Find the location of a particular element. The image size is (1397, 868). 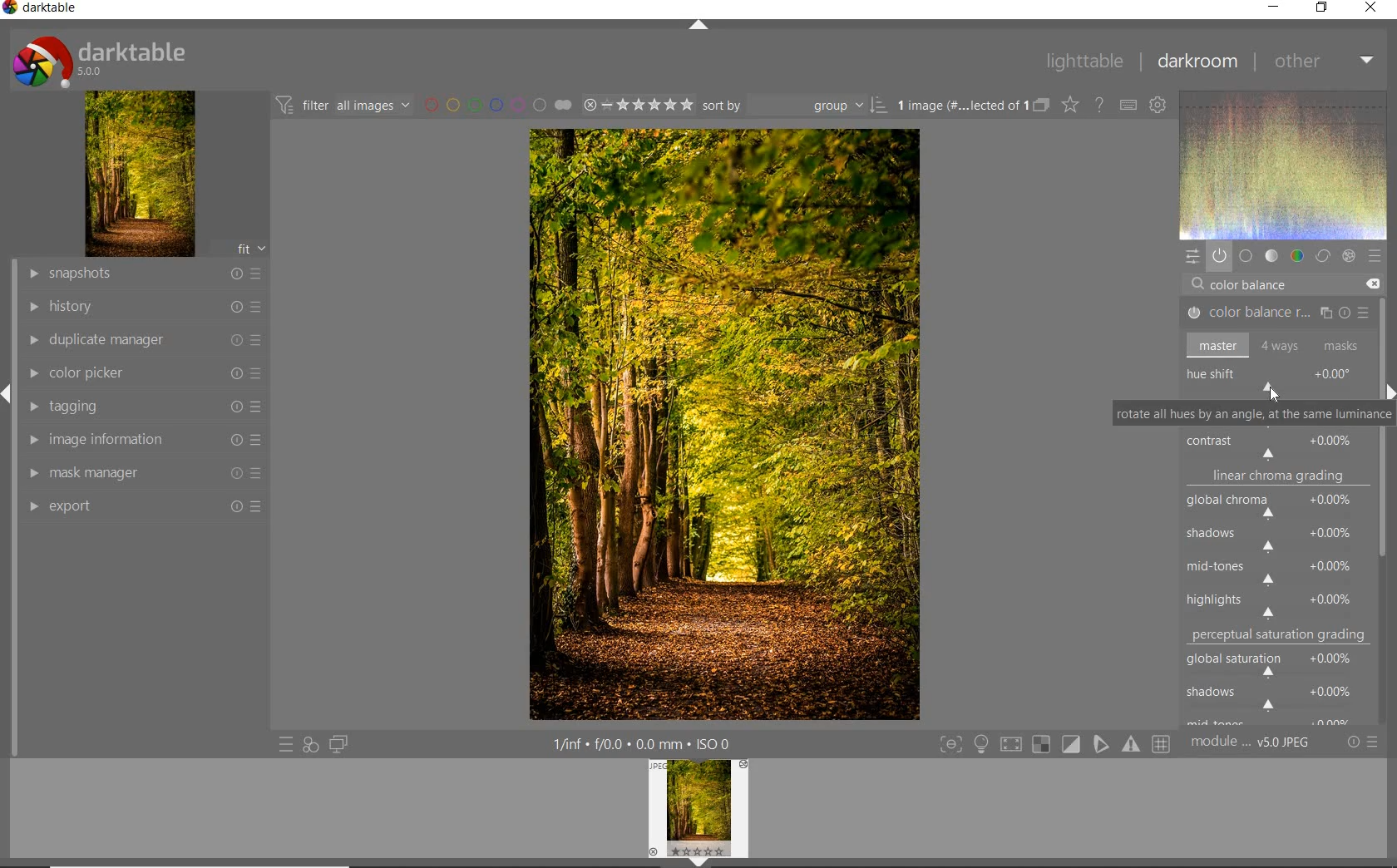

change type of overlay is located at coordinates (1069, 106).